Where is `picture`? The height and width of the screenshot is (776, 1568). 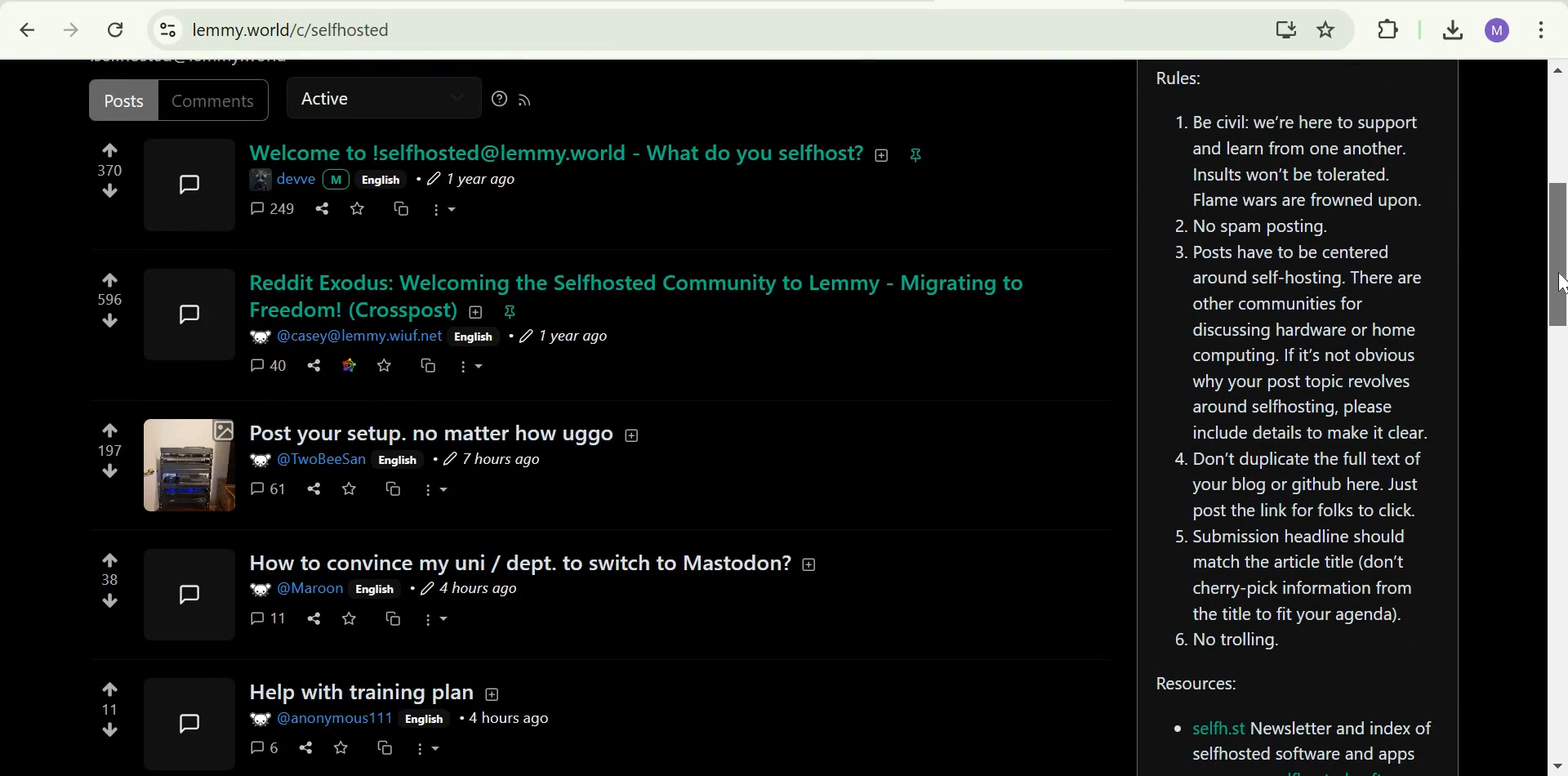
picture is located at coordinates (257, 590).